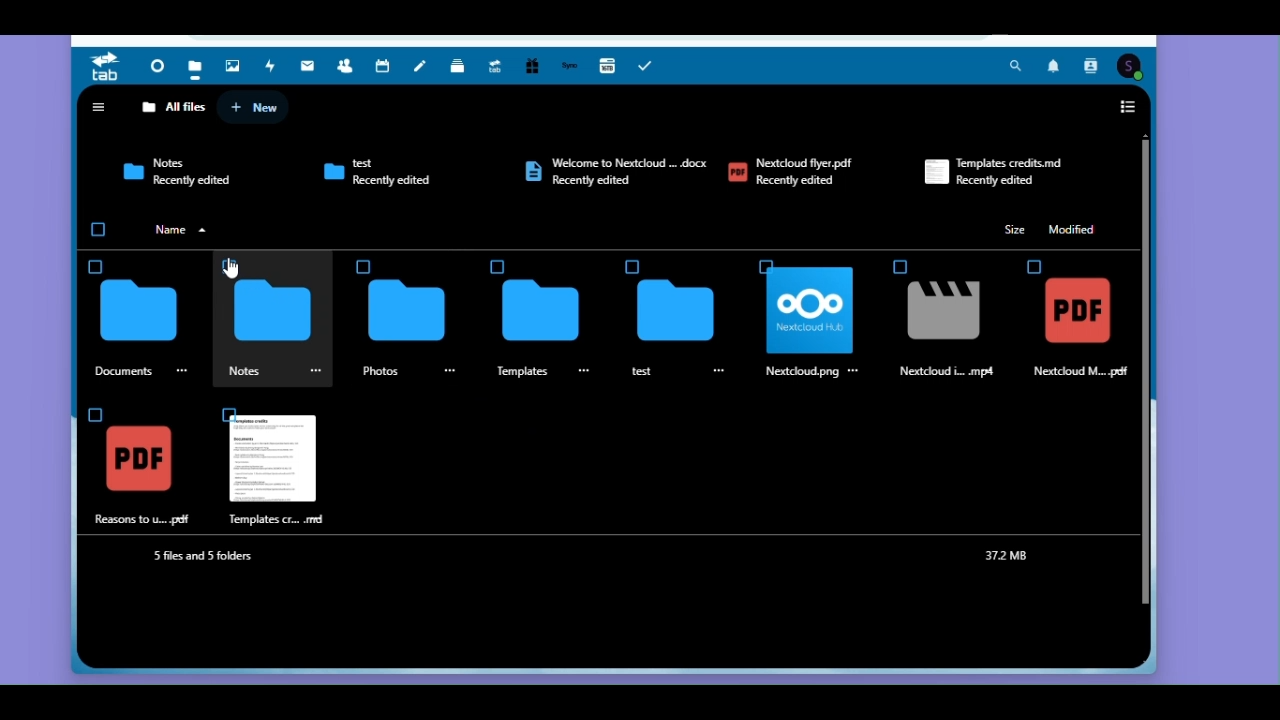 Image resolution: width=1280 pixels, height=720 pixels. What do you see at coordinates (425, 67) in the screenshot?
I see `Notes` at bounding box center [425, 67].